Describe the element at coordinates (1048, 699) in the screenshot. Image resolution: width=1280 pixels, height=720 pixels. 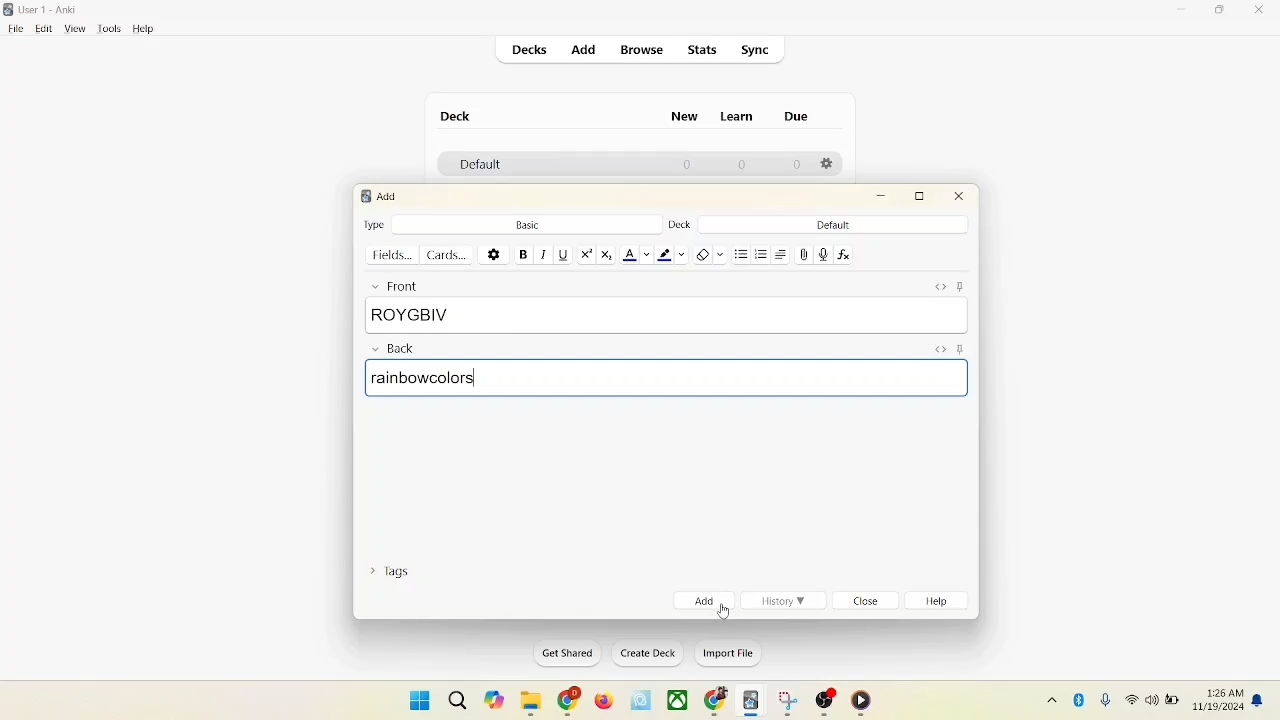
I see `show hidden icon` at that location.